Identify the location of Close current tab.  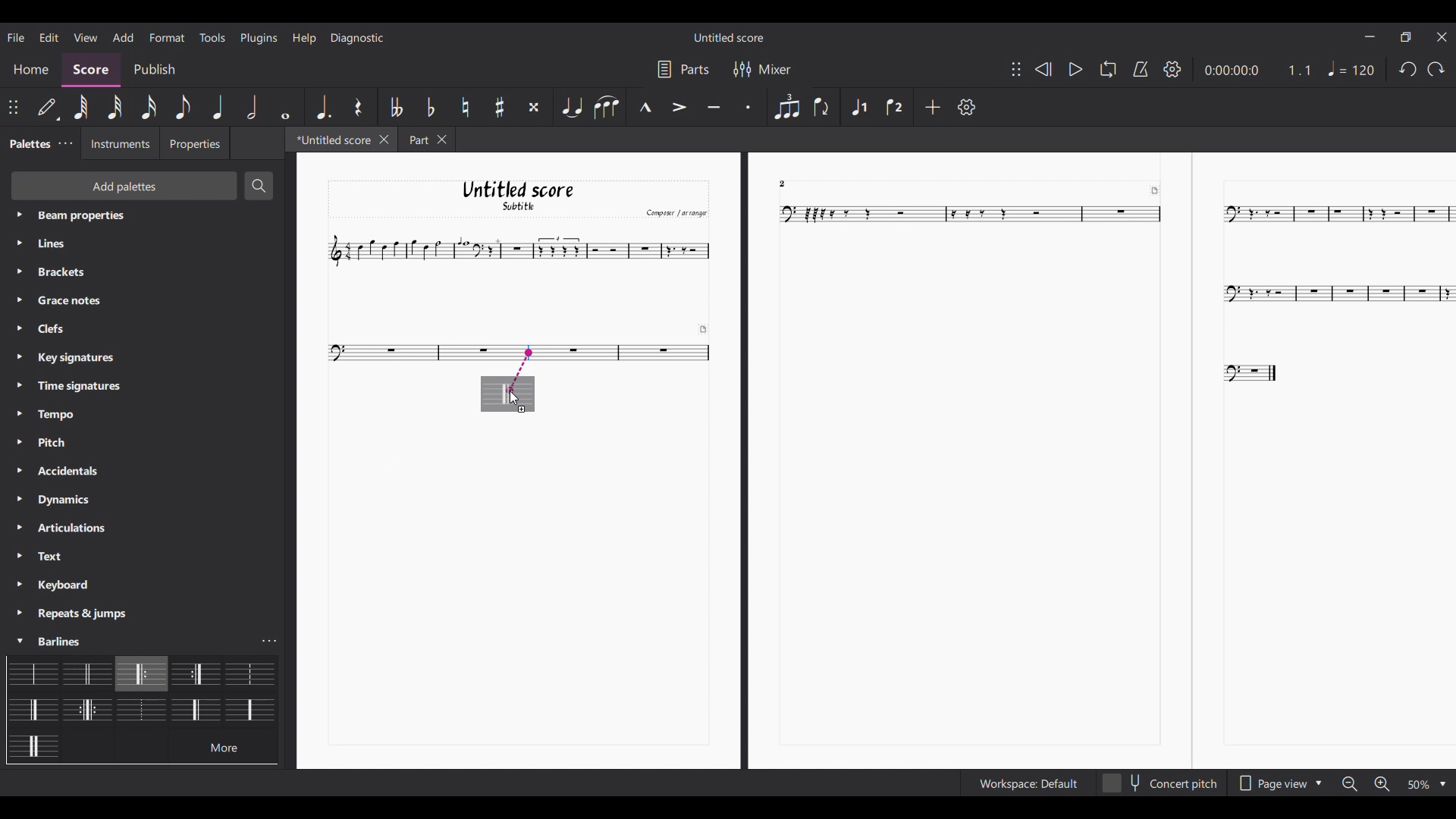
(384, 140).